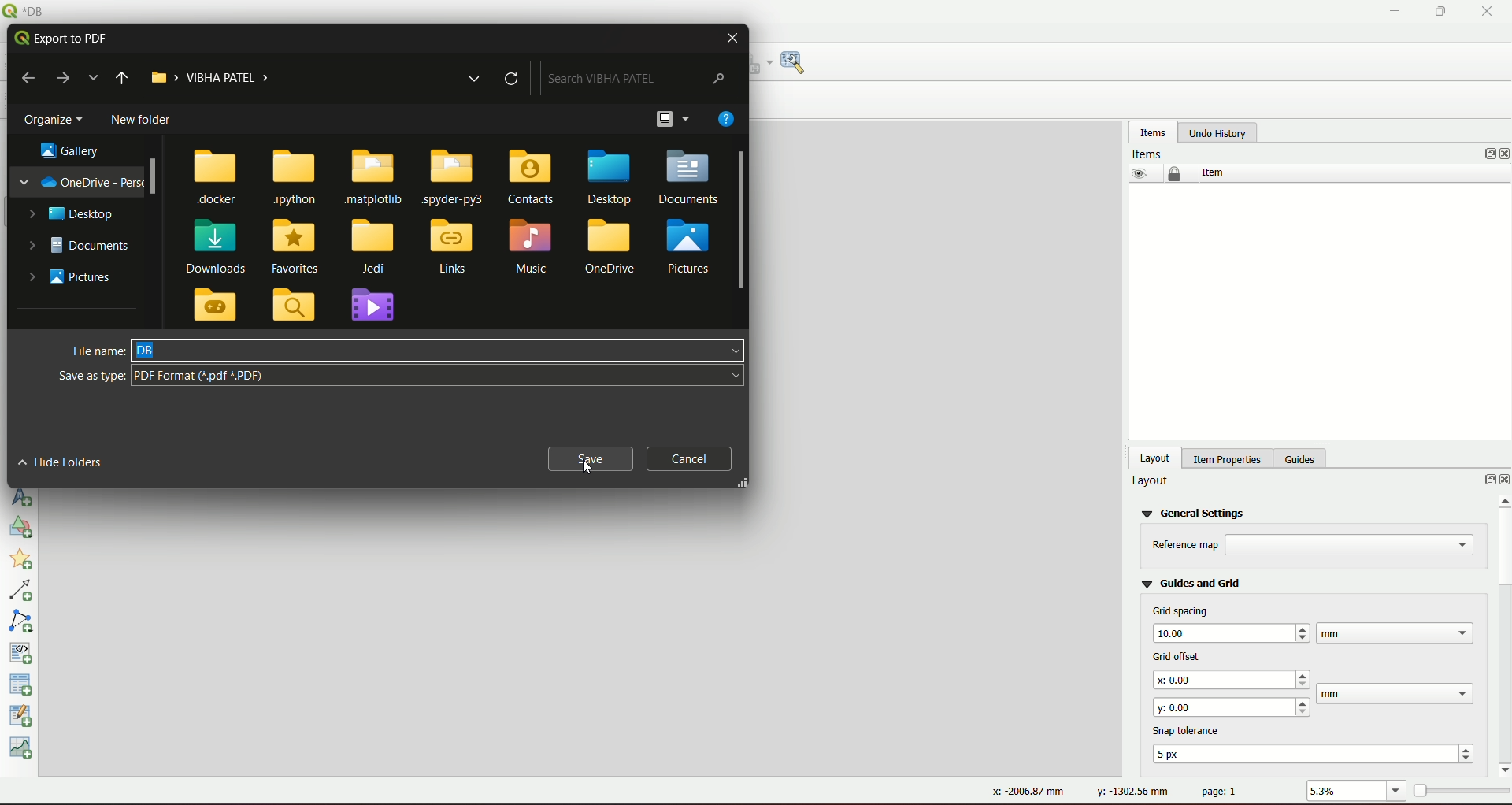 Image resolution: width=1512 pixels, height=805 pixels. I want to click on options, so click(1482, 481).